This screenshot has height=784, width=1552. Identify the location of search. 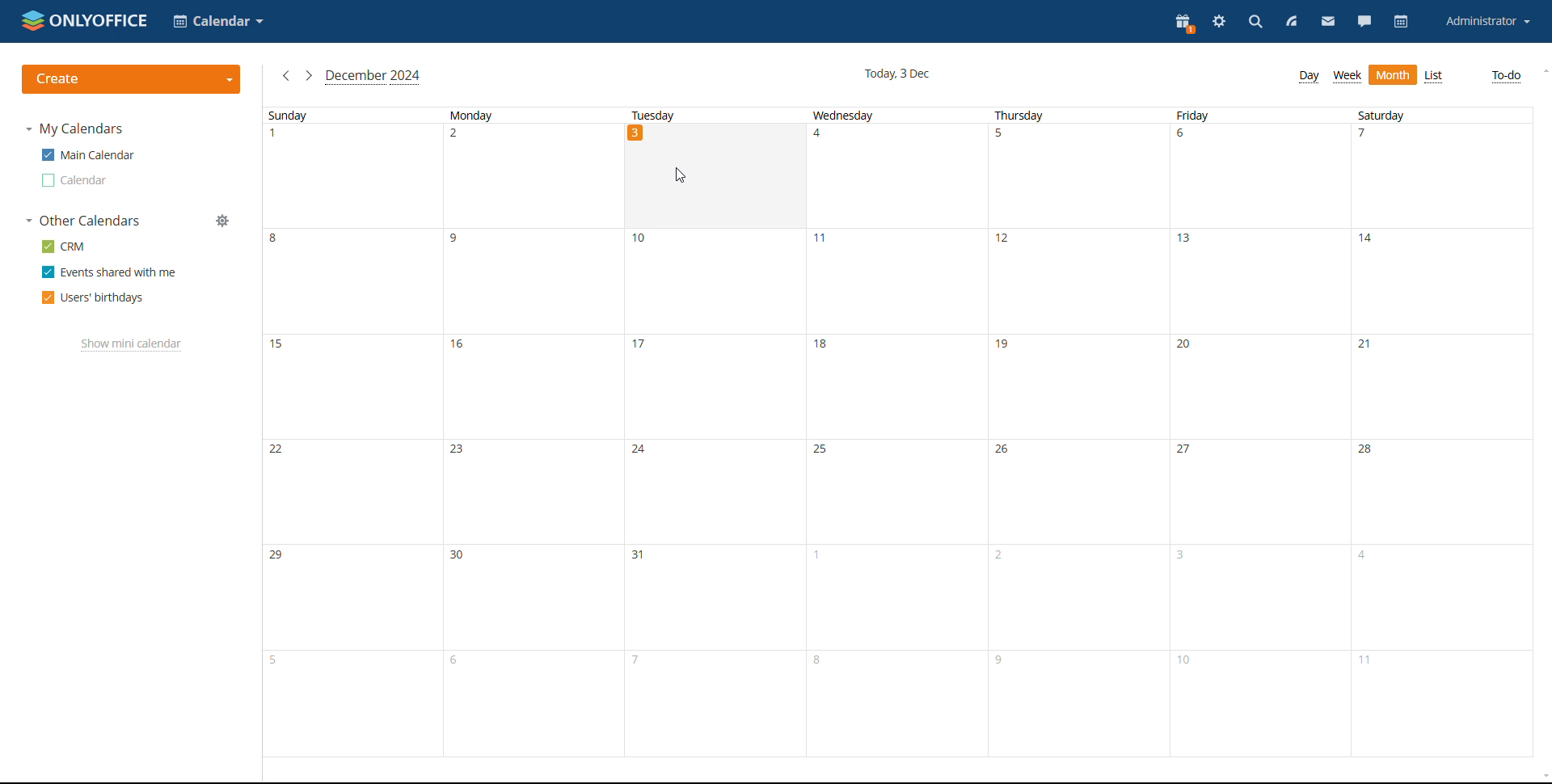
(1255, 22).